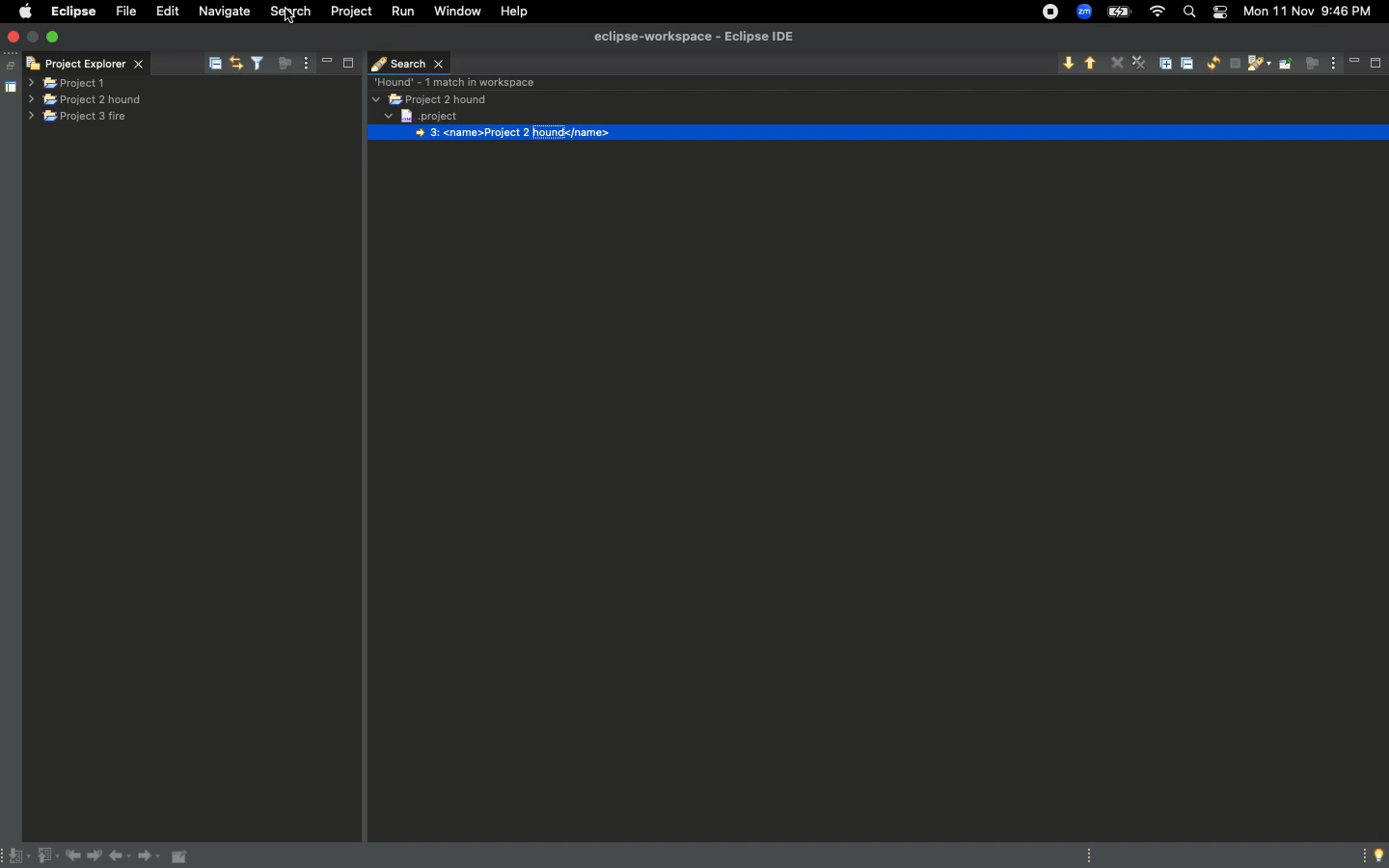 The height and width of the screenshot is (868, 1389). I want to click on maximise, so click(1375, 64).